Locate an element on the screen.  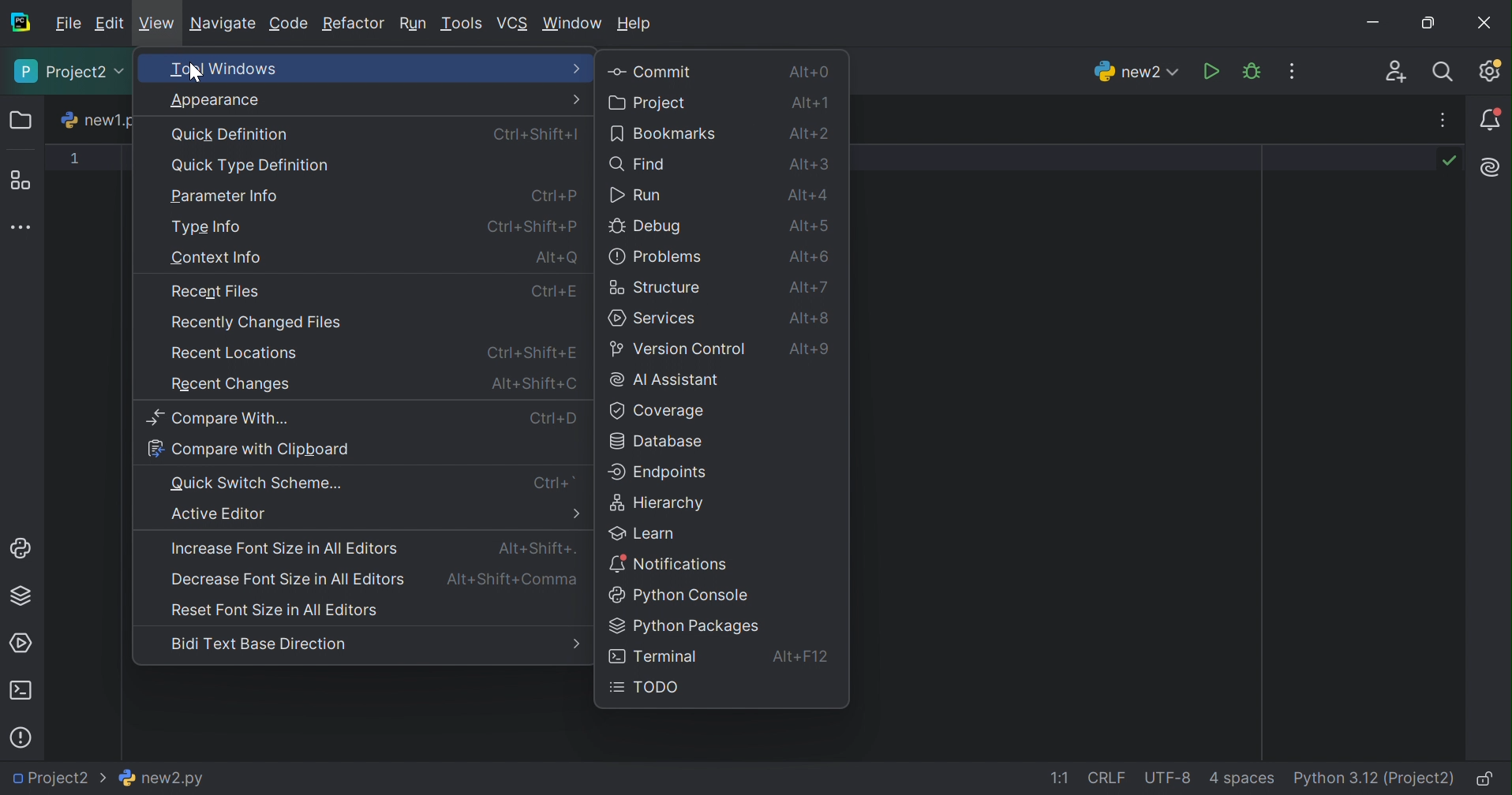
Endpoints is located at coordinates (663, 472).